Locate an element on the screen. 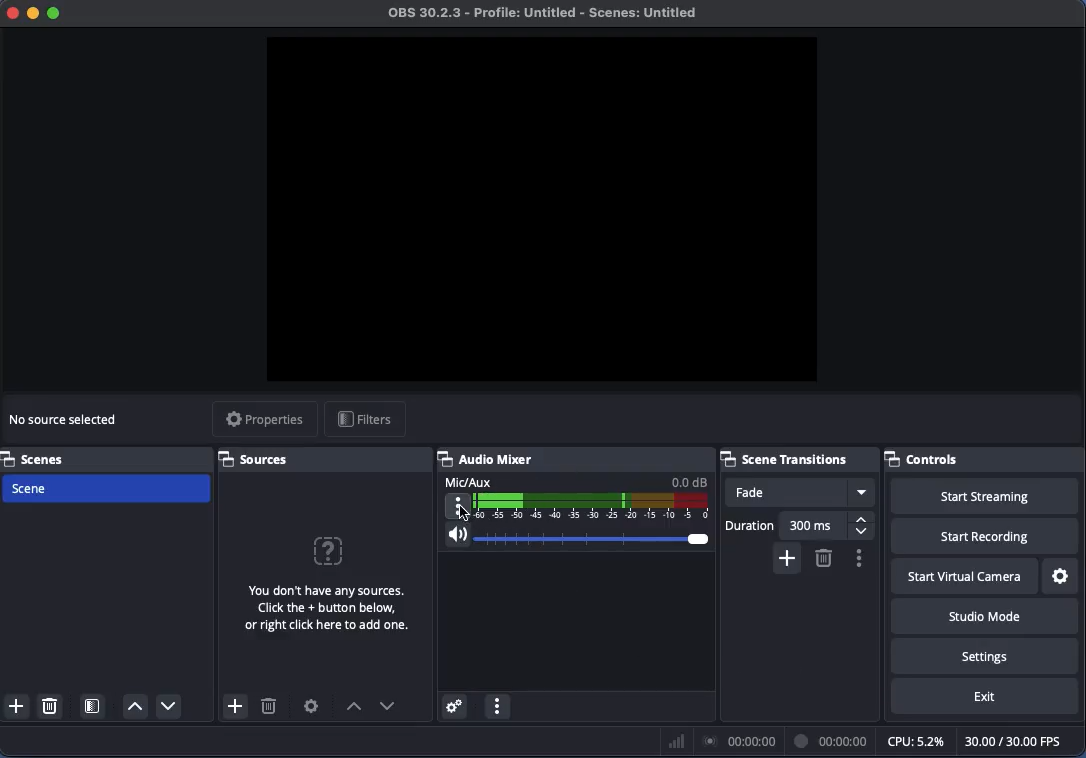 The width and height of the screenshot is (1086, 758). Properties is located at coordinates (264, 420).